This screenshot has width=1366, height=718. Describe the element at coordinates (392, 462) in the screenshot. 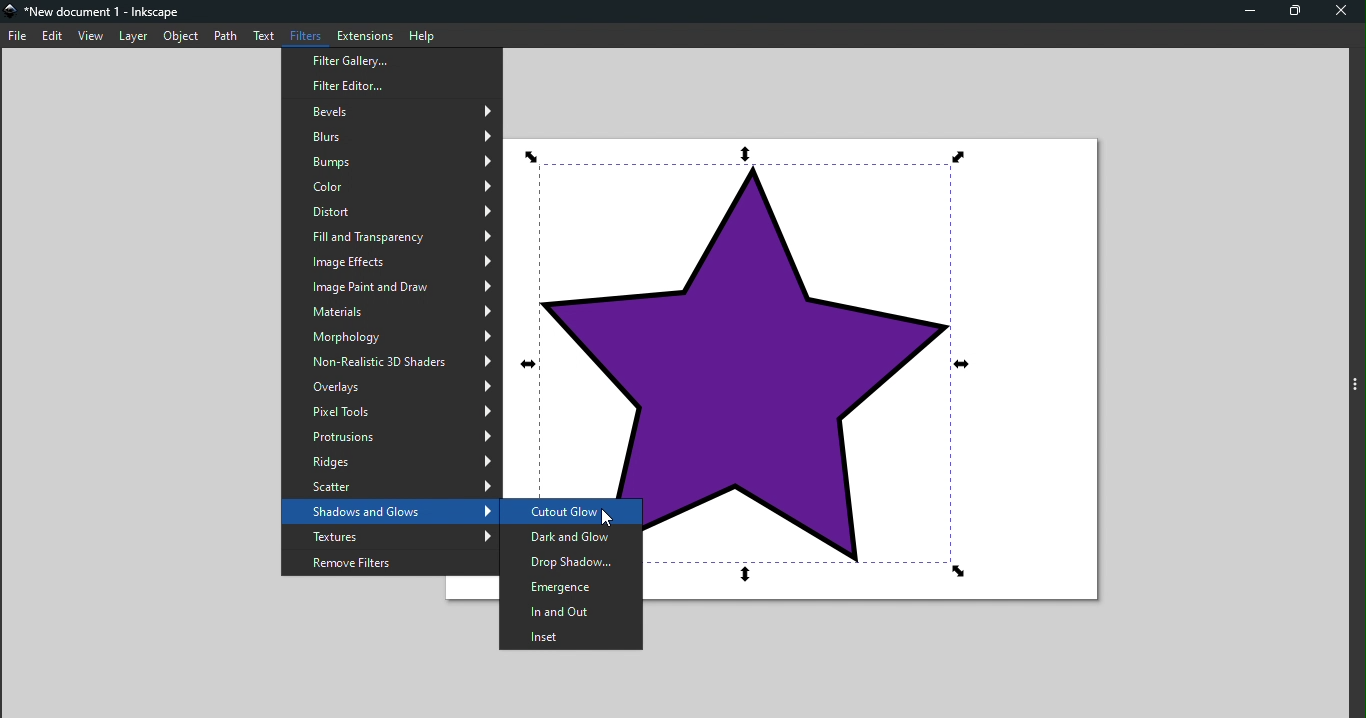

I see `Ridges` at that location.